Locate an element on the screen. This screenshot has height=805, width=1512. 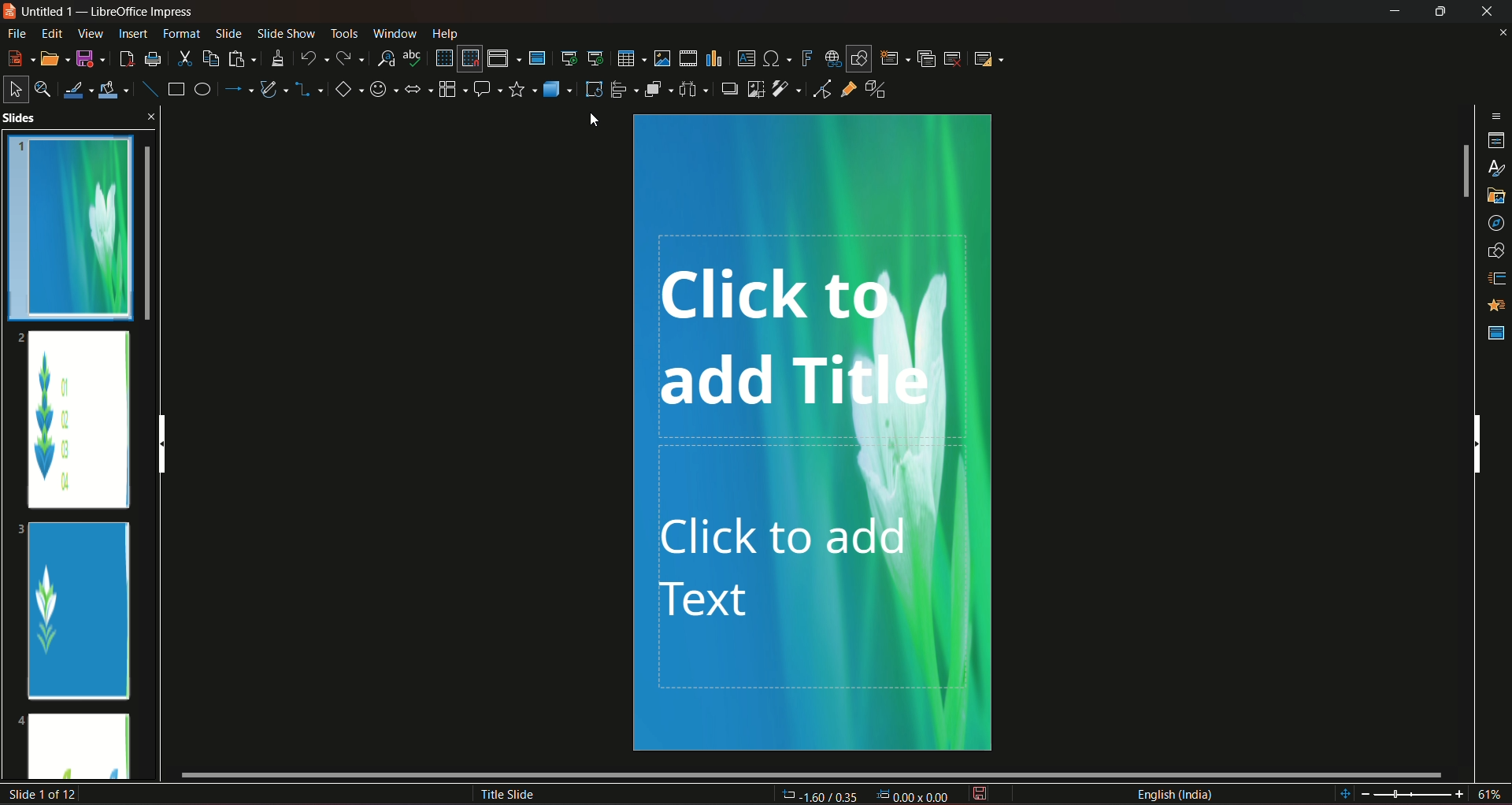
slide delete is located at coordinates (954, 57).